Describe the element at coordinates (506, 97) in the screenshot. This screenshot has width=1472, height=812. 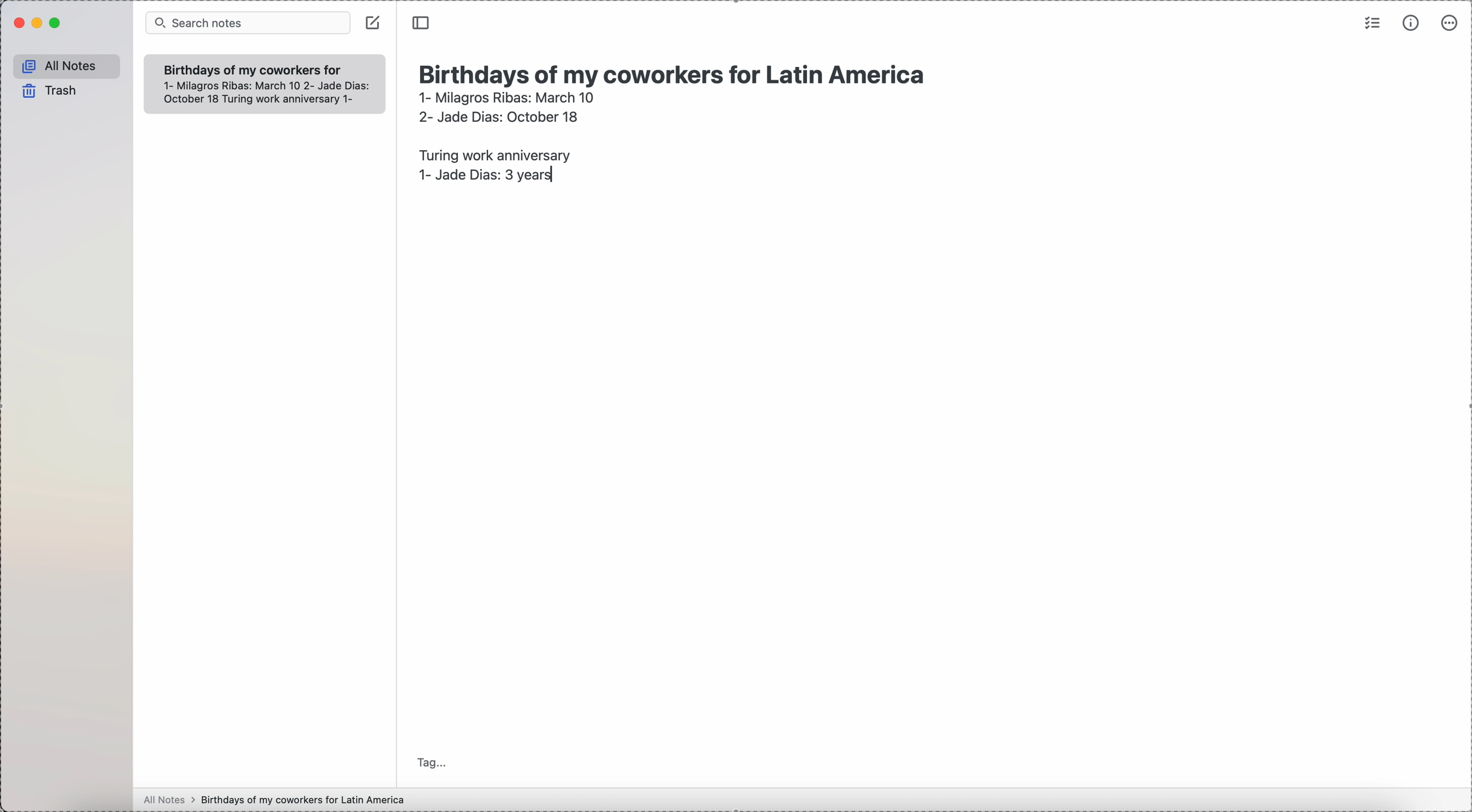
I see `1- Milagros` at that location.